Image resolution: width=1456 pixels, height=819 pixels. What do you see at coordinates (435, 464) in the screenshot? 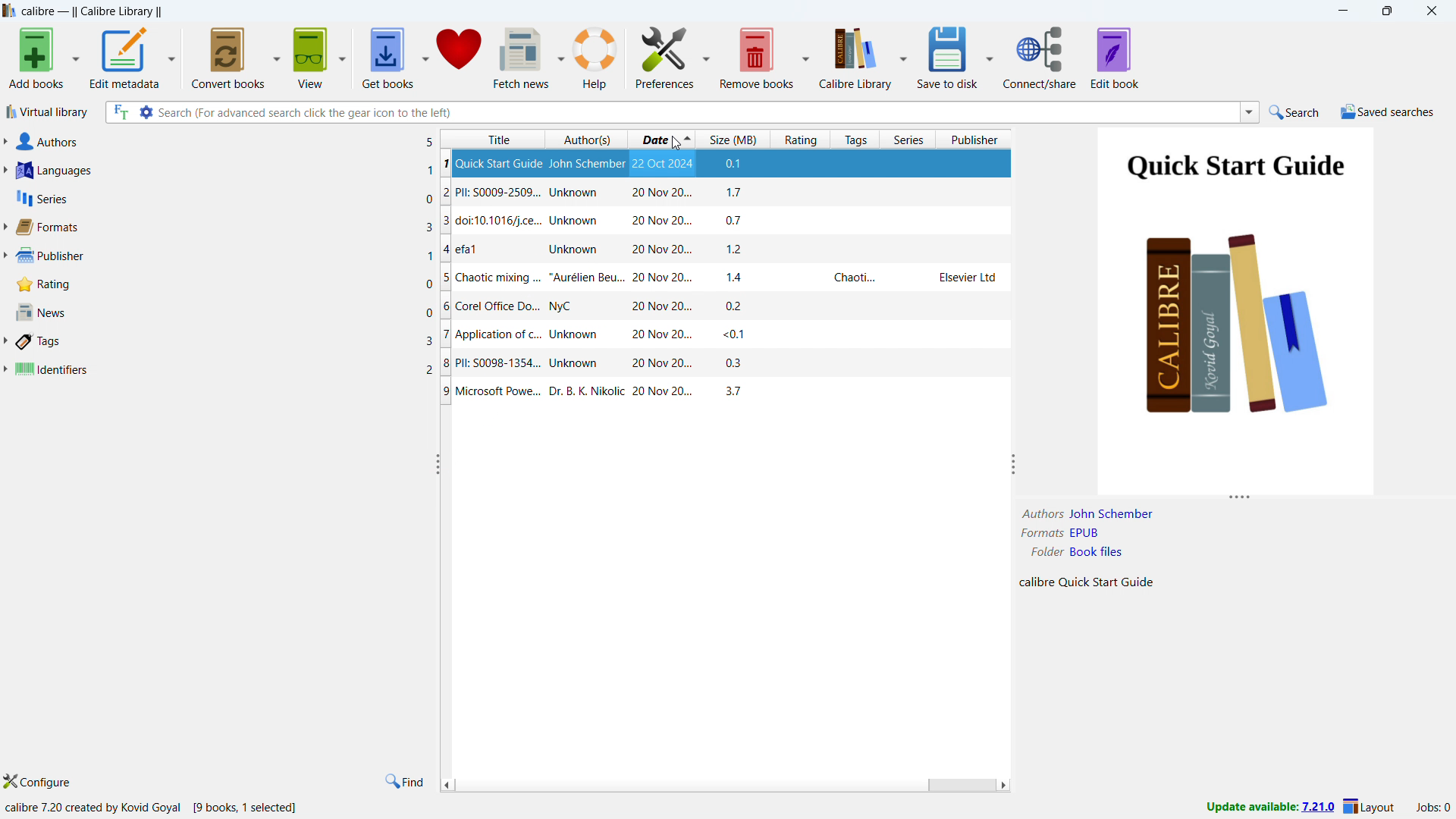
I see `resize` at bounding box center [435, 464].